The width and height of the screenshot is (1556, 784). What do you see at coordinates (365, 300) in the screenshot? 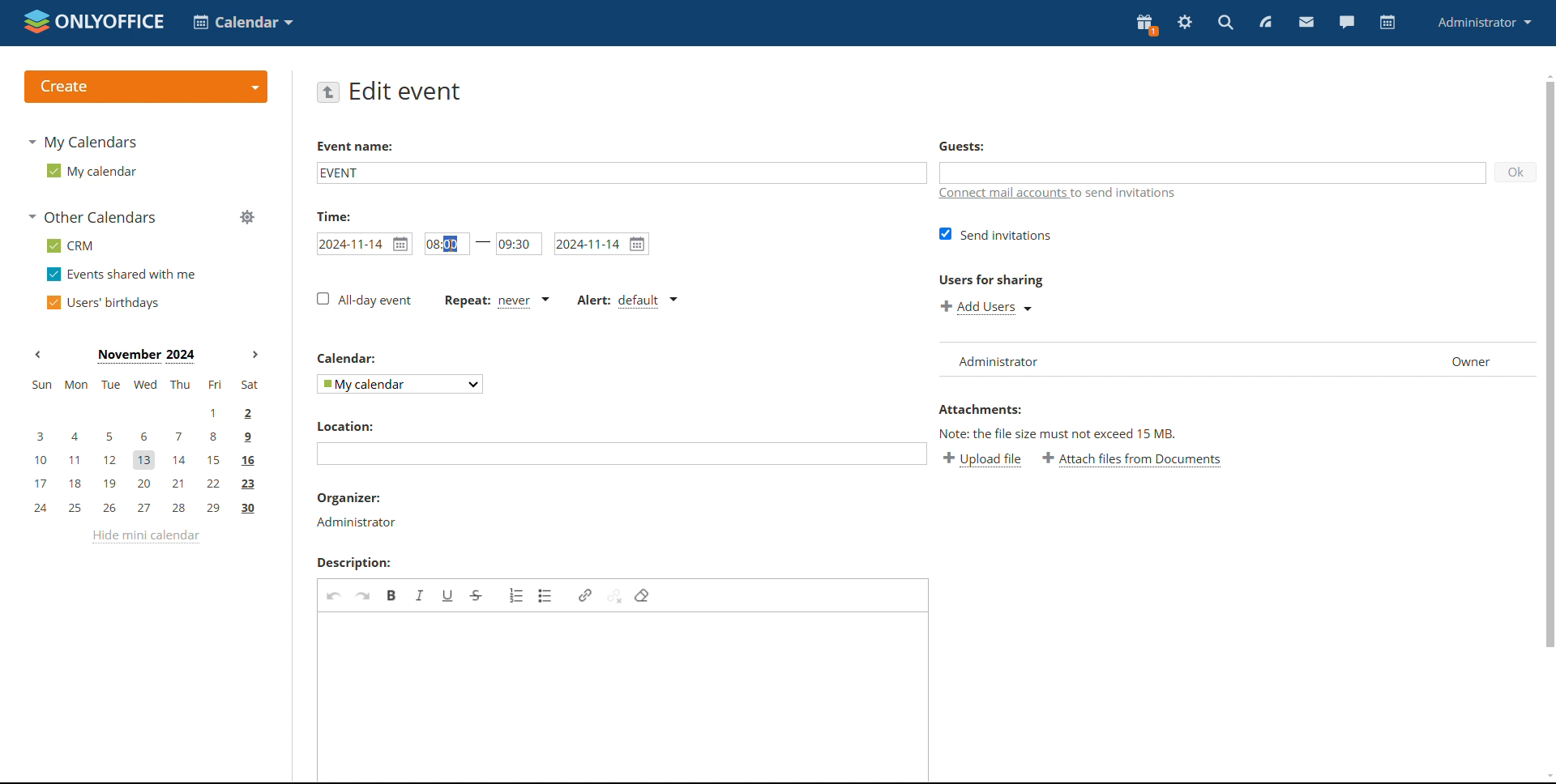
I see `all-day event checkbox` at bounding box center [365, 300].